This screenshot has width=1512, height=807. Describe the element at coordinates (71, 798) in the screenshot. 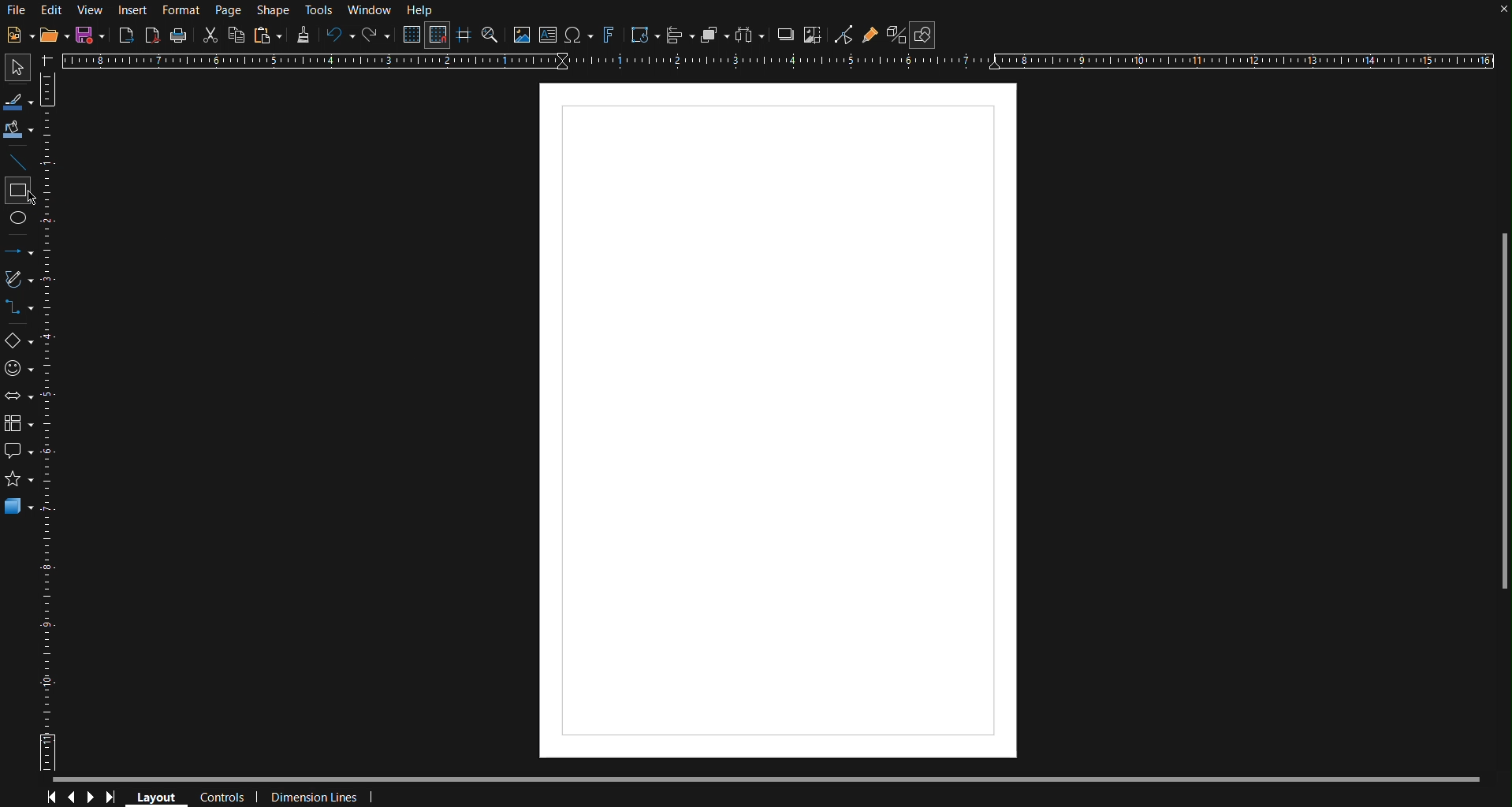

I see `Previous Page` at that location.